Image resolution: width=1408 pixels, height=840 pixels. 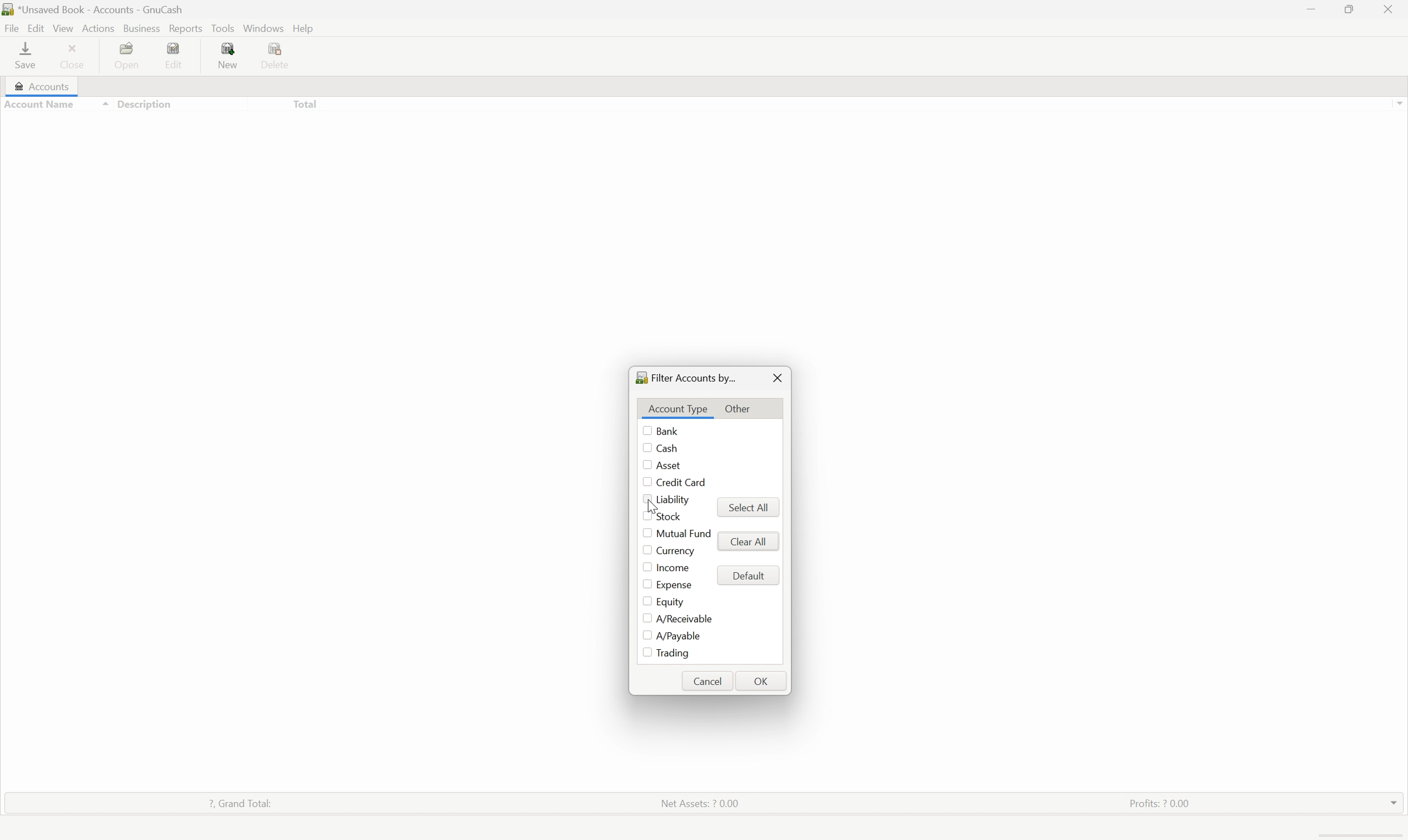 What do you see at coordinates (679, 408) in the screenshot?
I see `Account Type` at bounding box center [679, 408].